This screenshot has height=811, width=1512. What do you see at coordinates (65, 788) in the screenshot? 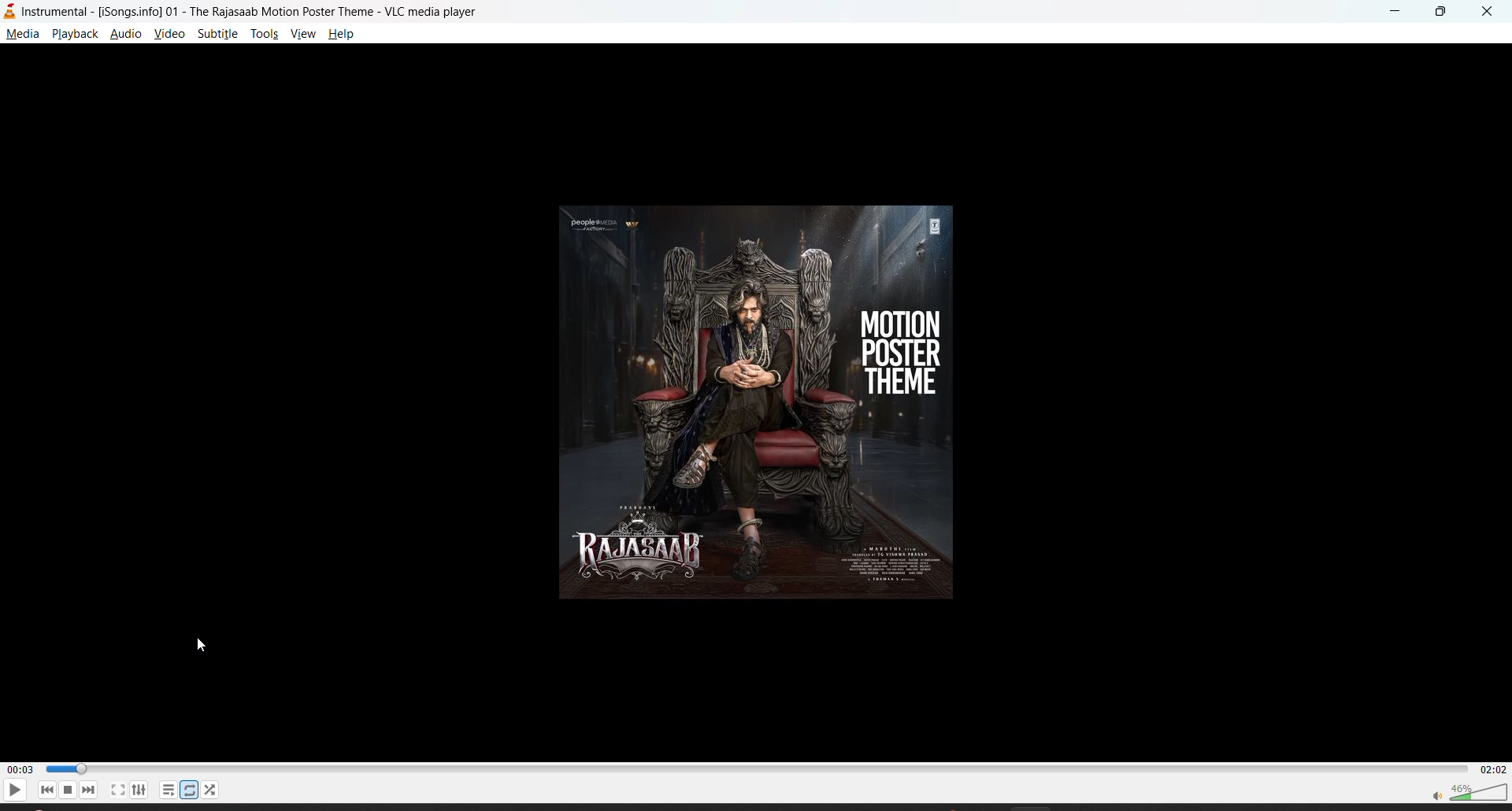
I see `lunch` at bounding box center [65, 788].